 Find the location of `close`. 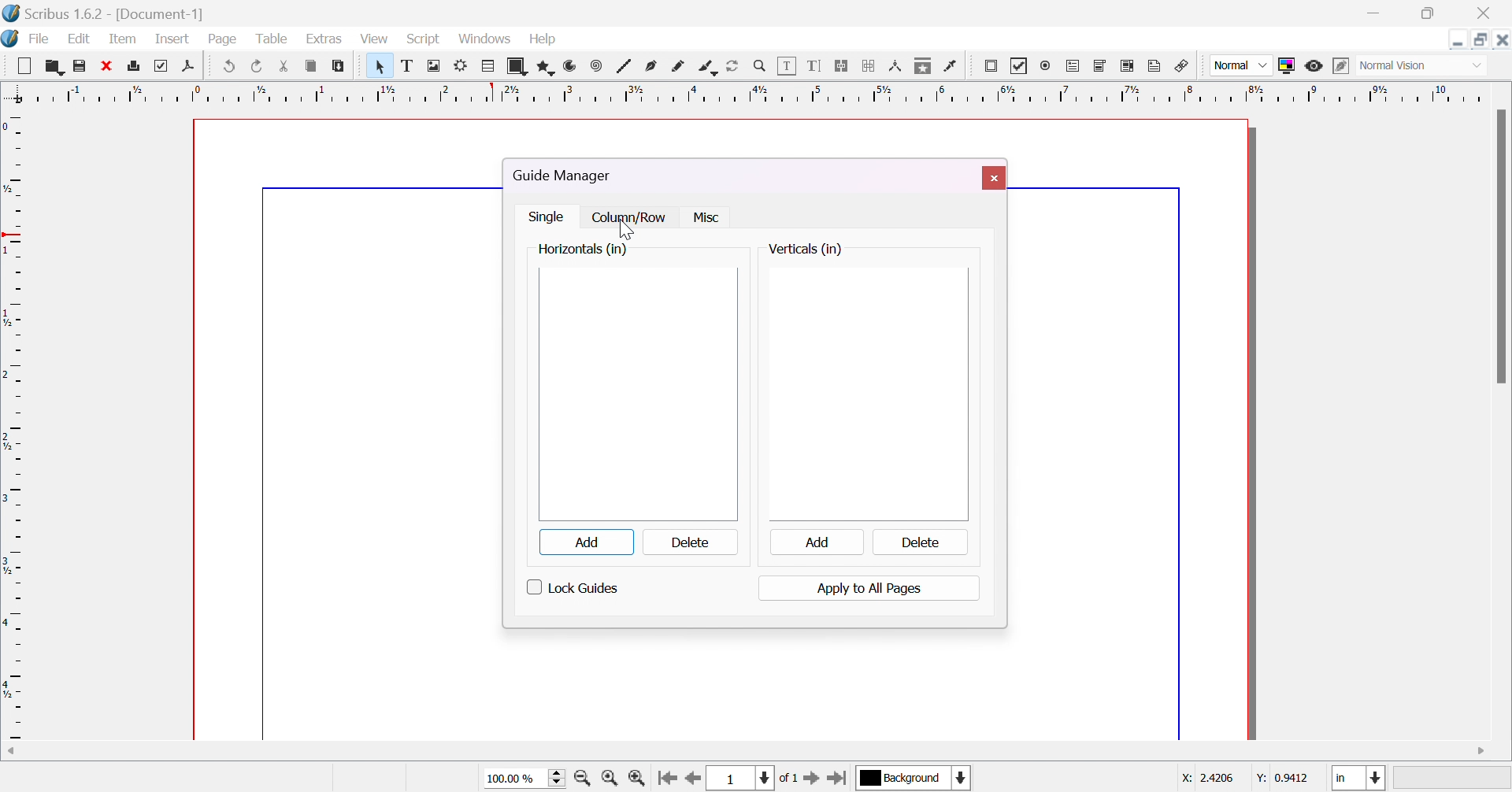

close is located at coordinates (1488, 11).